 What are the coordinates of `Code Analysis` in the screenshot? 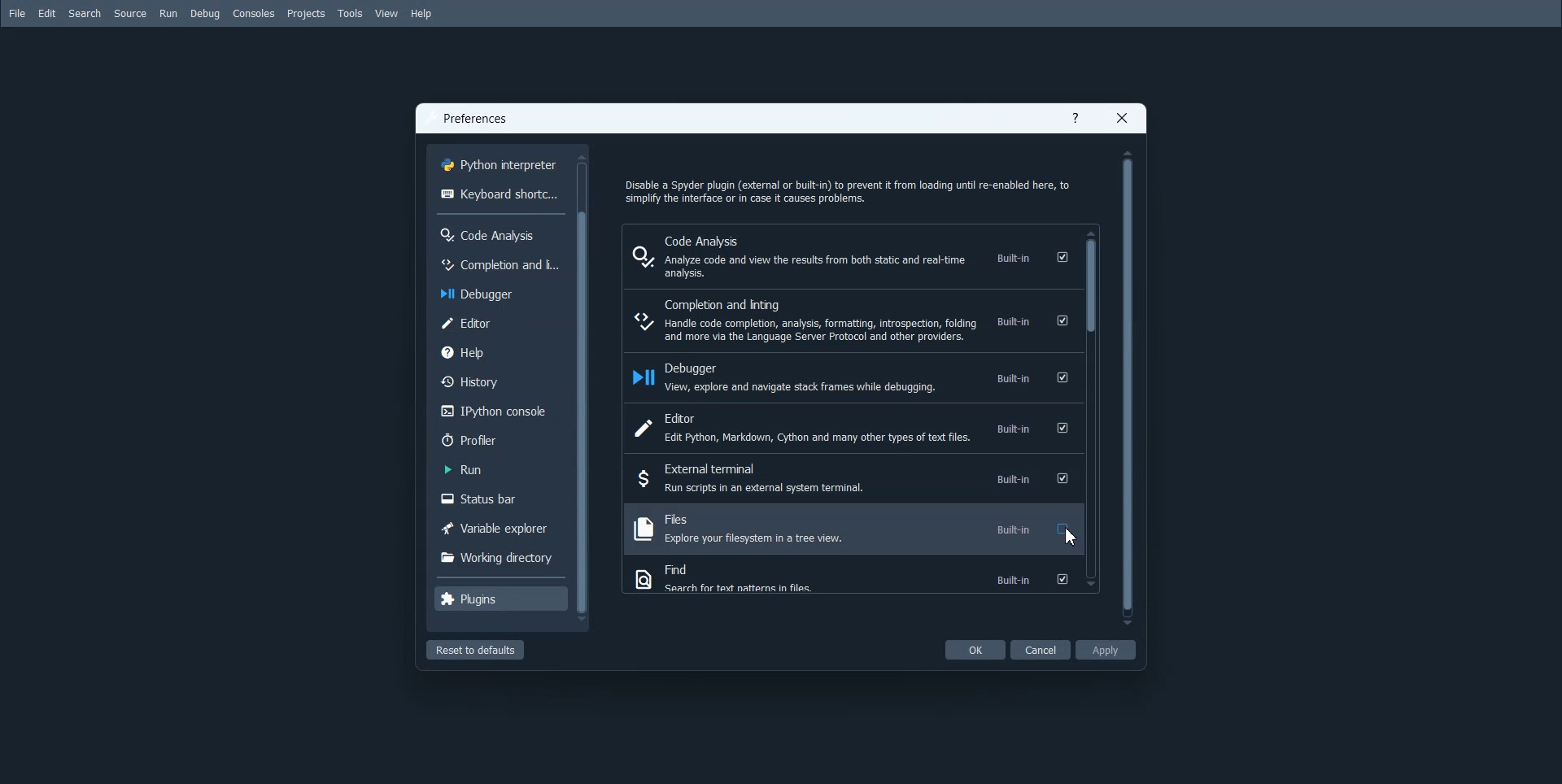 It's located at (851, 255).